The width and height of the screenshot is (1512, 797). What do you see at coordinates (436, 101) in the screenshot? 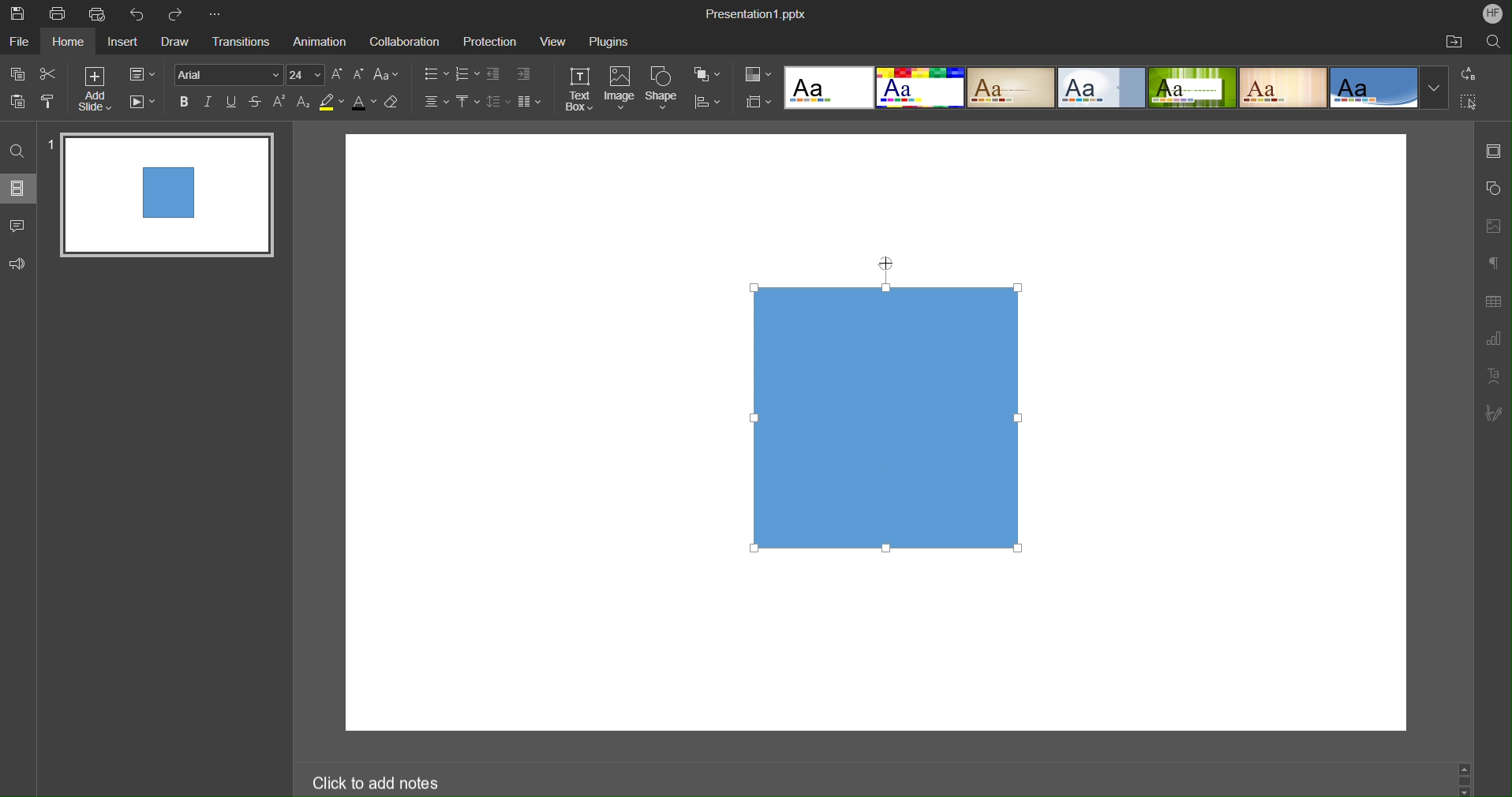
I see `Alignment` at bounding box center [436, 101].